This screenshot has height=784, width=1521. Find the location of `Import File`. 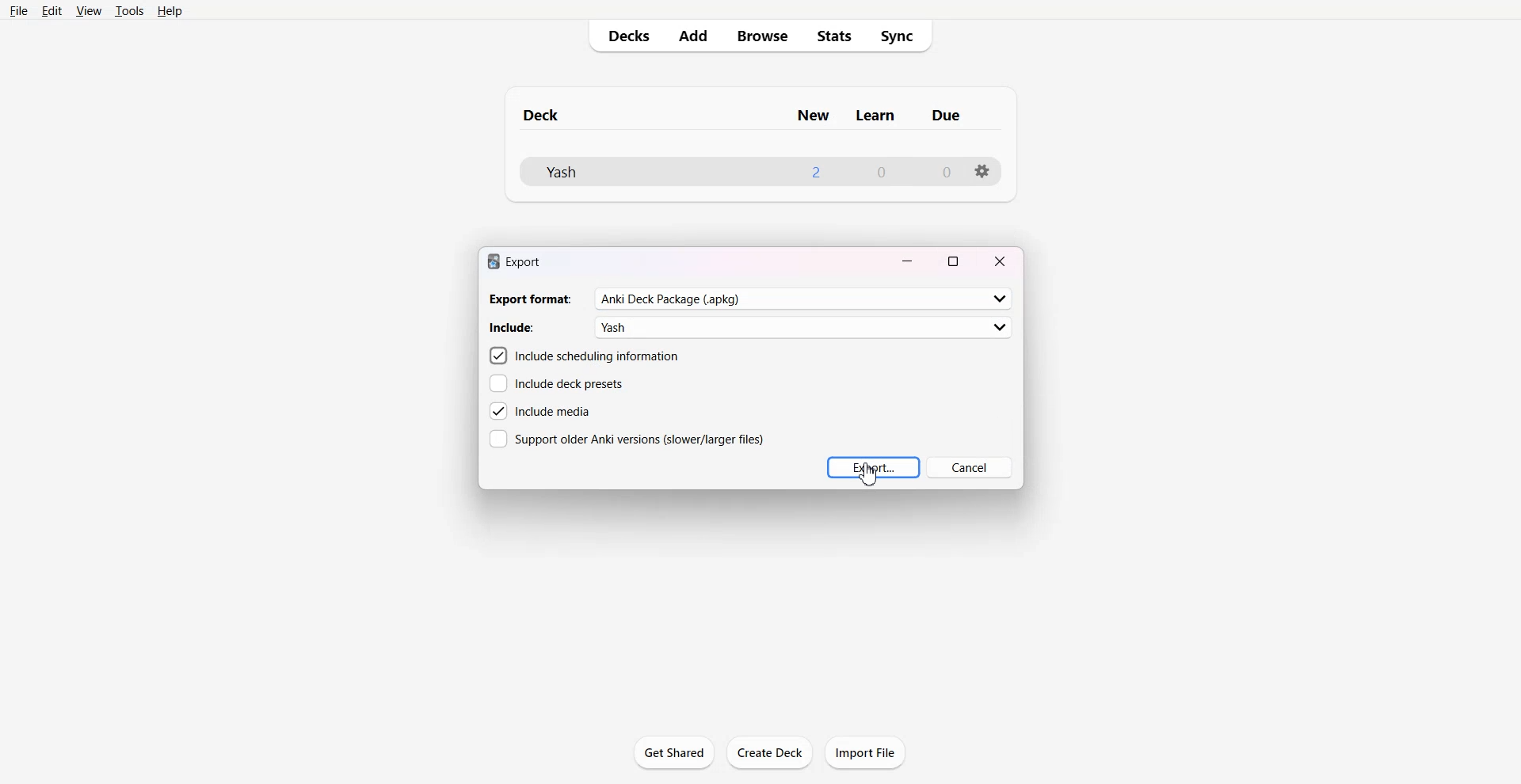

Import File is located at coordinates (866, 752).